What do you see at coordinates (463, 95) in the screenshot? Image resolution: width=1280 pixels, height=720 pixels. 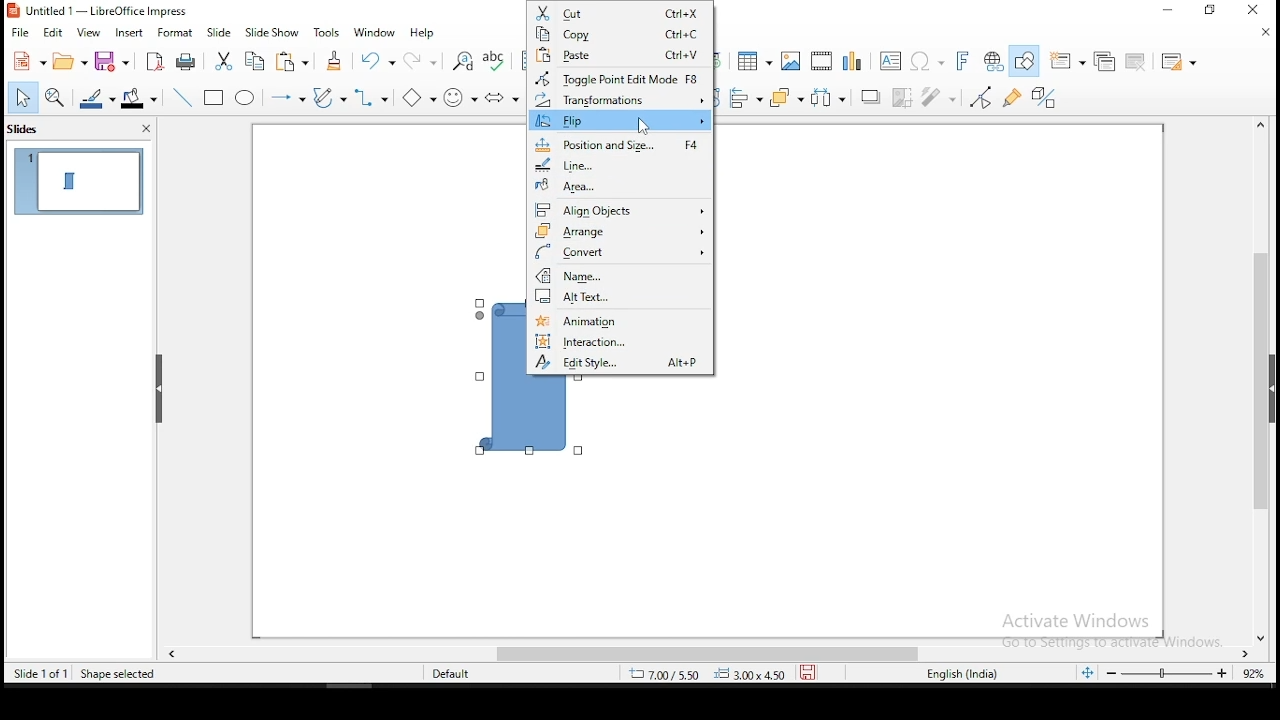 I see `symbol shapes` at bounding box center [463, 95].